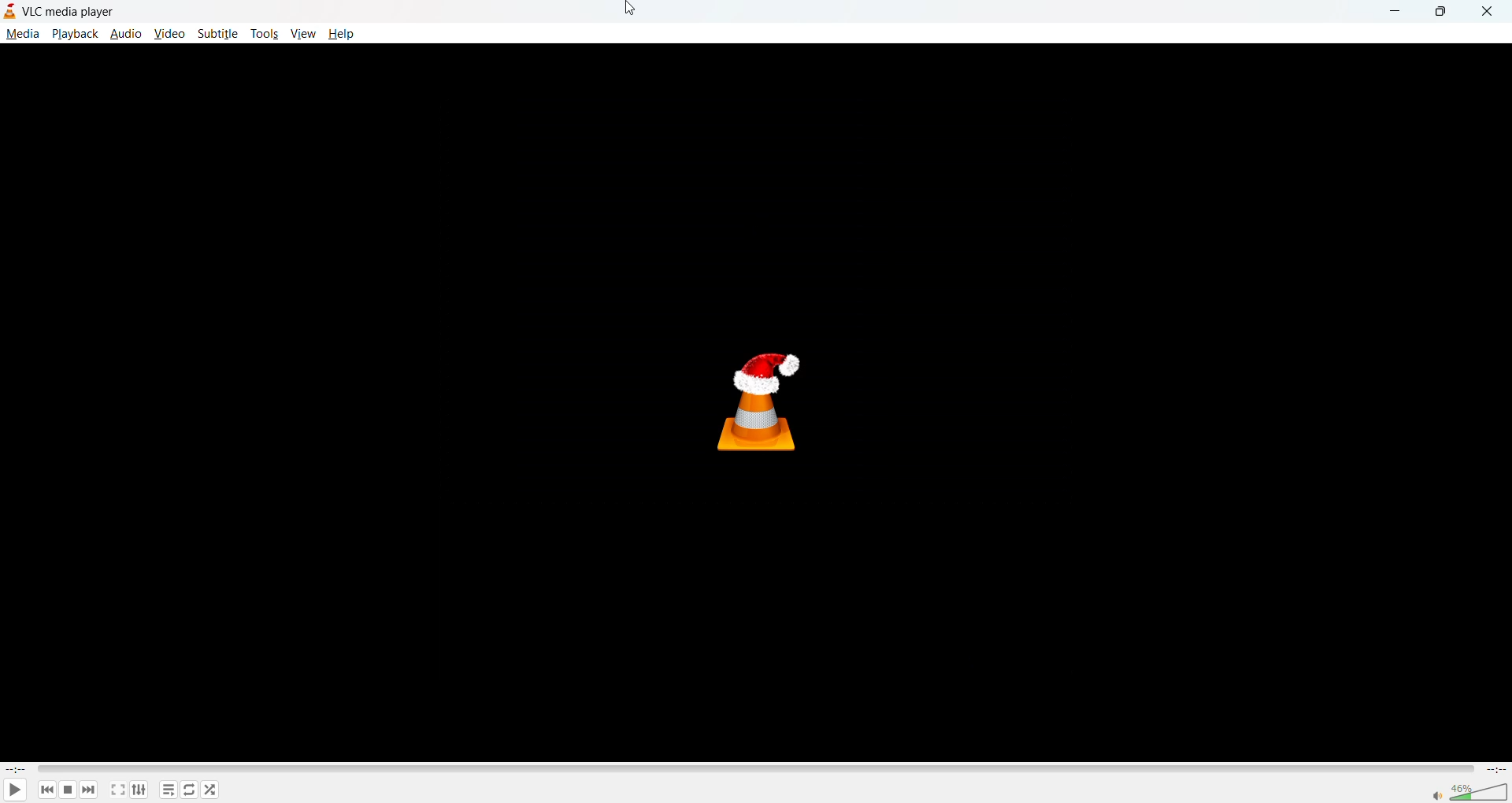  Describe the element at coordinates (1495, 769) in the screenshot. I see `total track time` at that location.